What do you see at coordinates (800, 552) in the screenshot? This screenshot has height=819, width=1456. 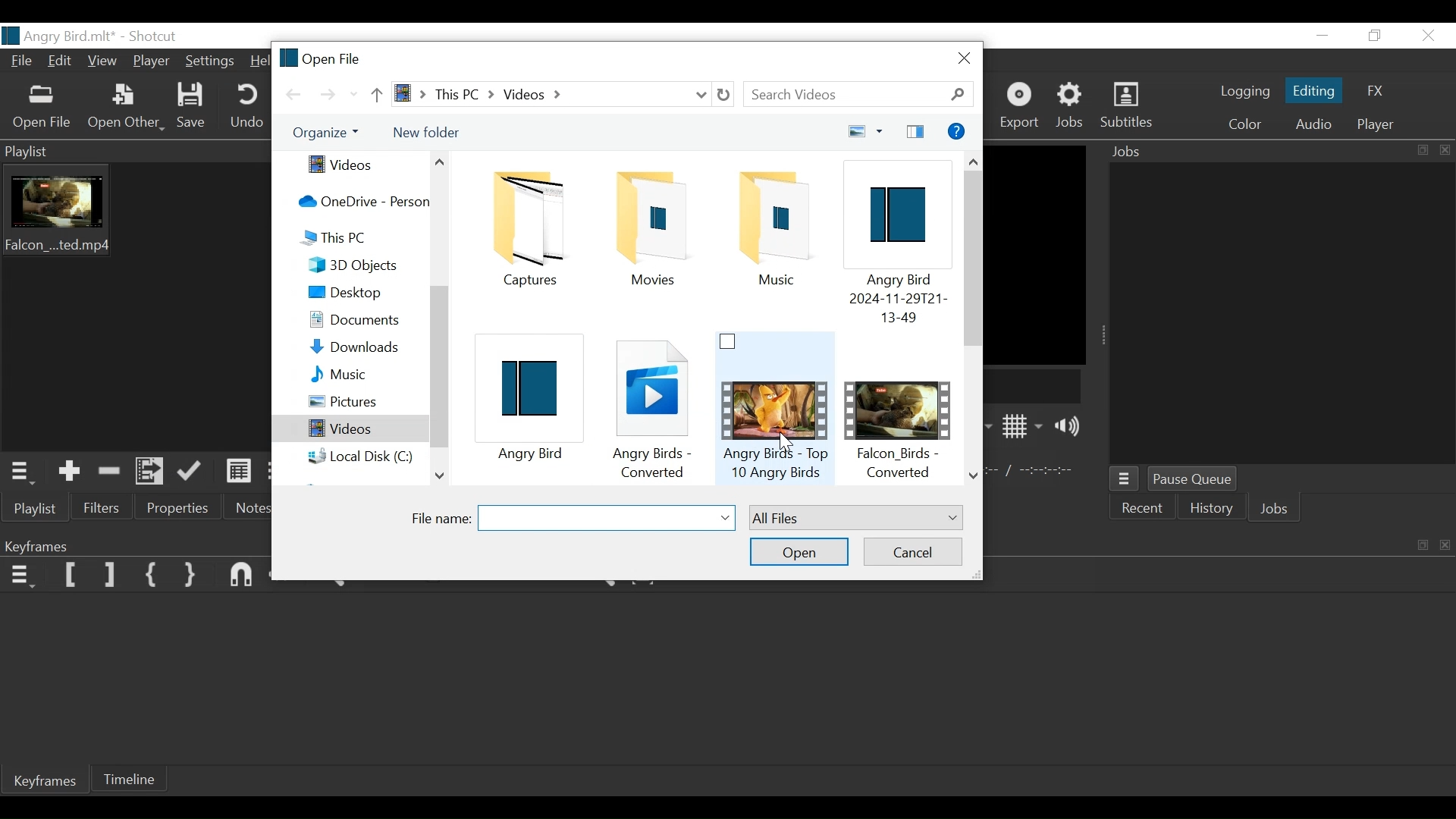 I see `Open` at bounding box center [800, 552].